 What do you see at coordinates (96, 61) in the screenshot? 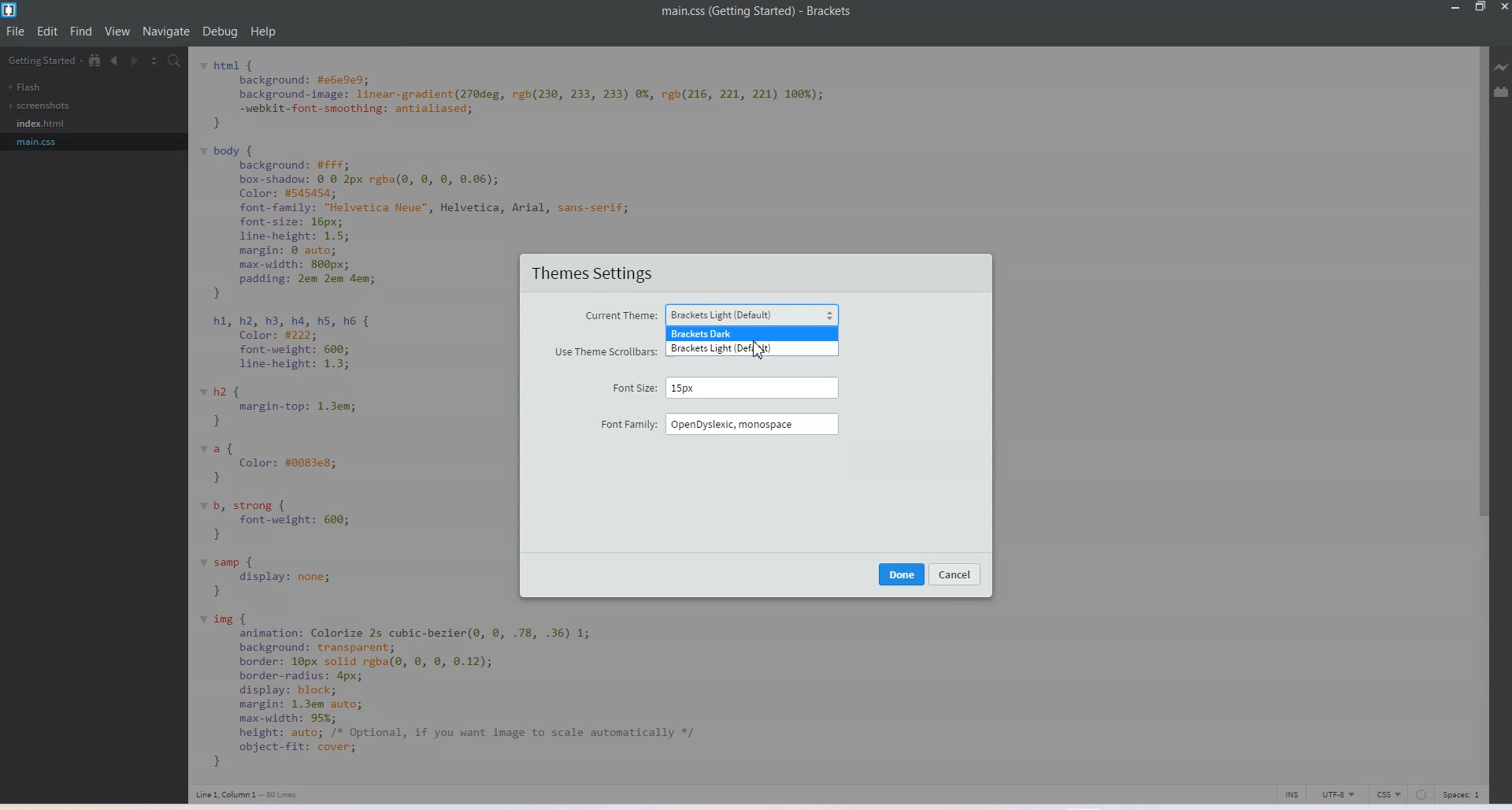
I see `View in Tree file` at bounding box center [96, 61].